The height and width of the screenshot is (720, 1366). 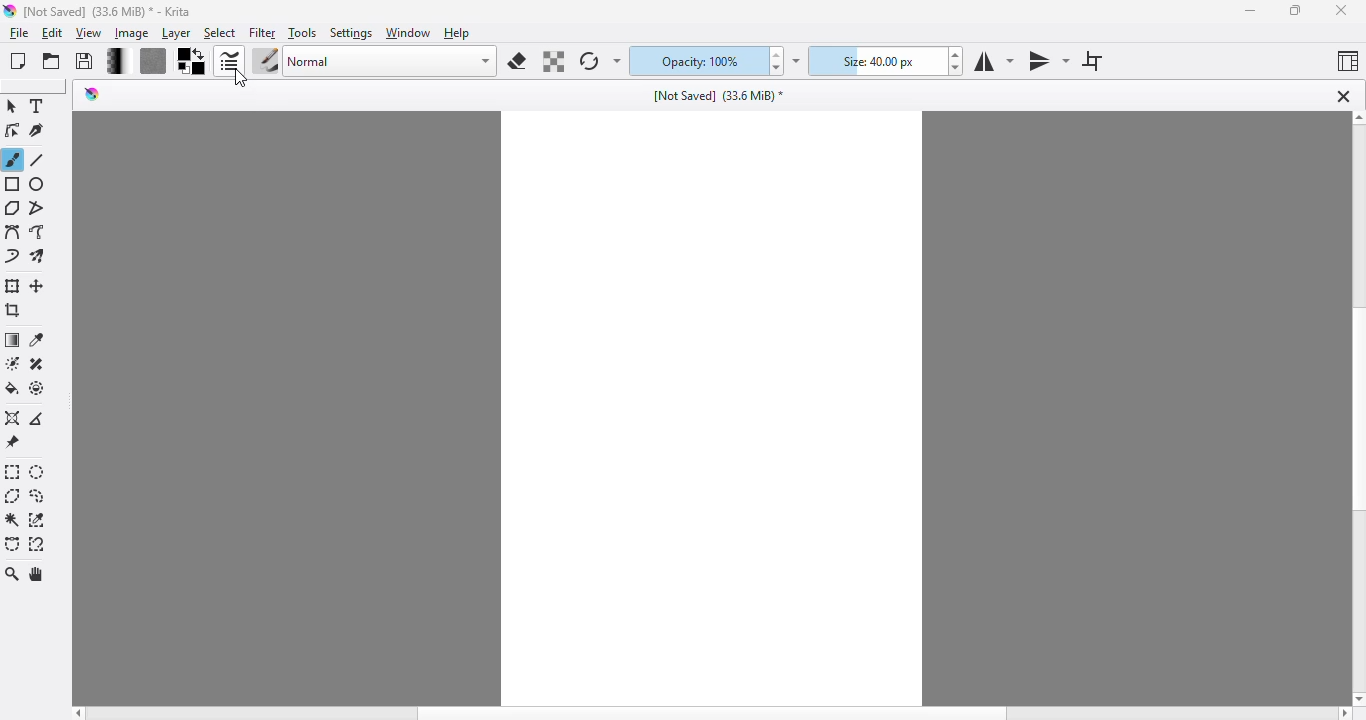 I want to click on horizontal scroll bar, so click(x=710, y=712).